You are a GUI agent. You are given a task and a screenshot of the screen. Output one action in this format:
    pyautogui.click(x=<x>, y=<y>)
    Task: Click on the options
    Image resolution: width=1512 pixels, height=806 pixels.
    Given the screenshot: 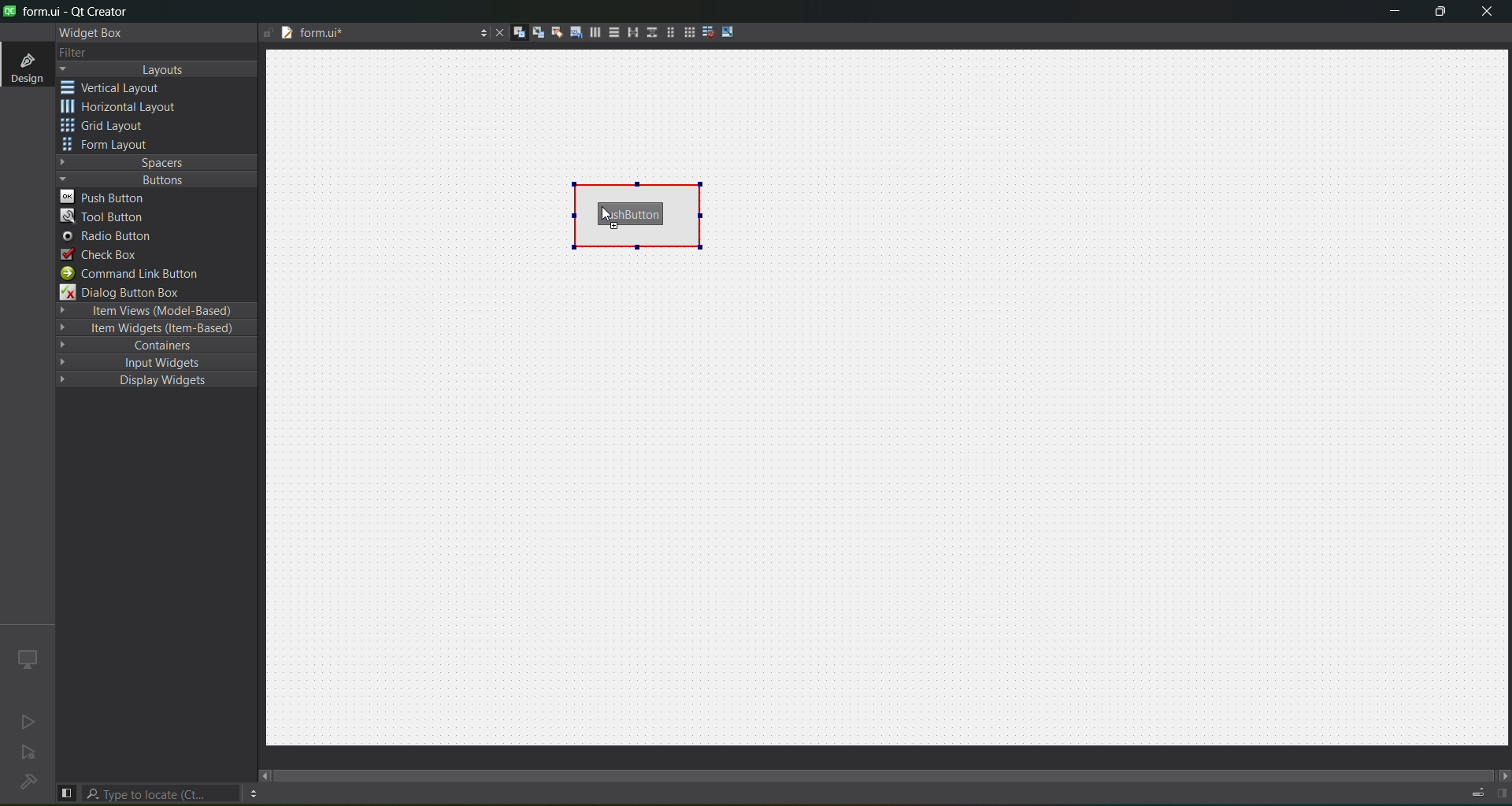 What is the action you would take?
    pyautogui.click(x=480, y=31)
    